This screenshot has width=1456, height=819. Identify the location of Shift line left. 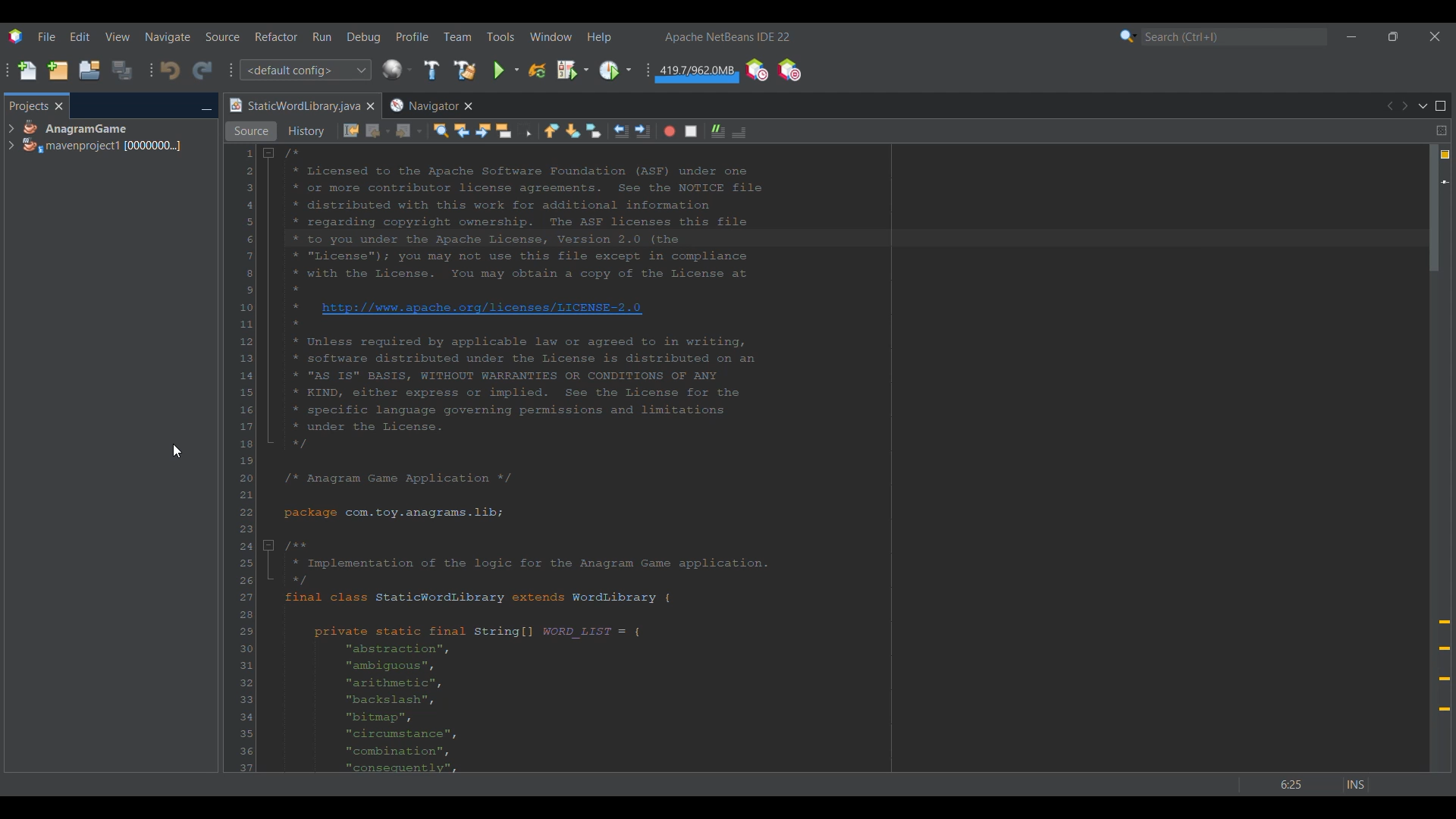
(621, 131).